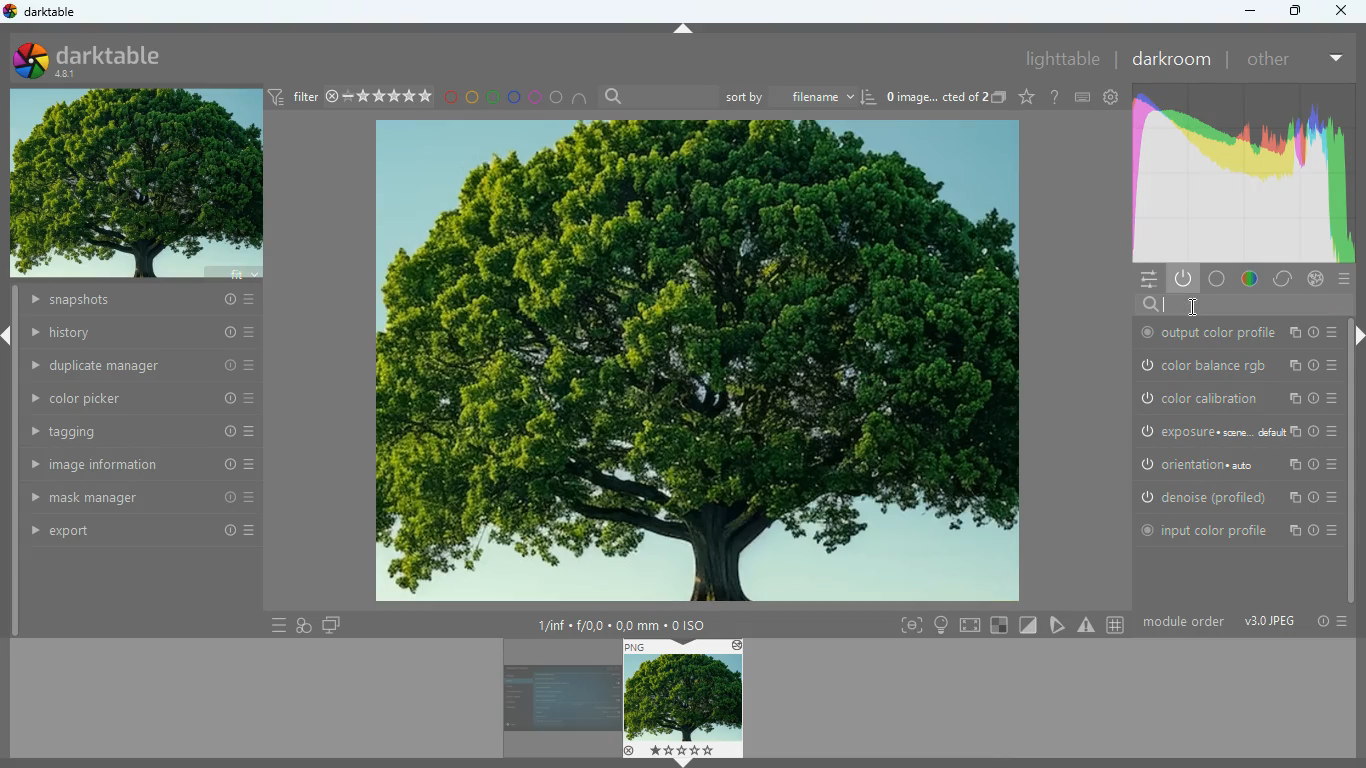 This screenshot has height=768, width=1366. I want to click on image details, so click(621, 621).